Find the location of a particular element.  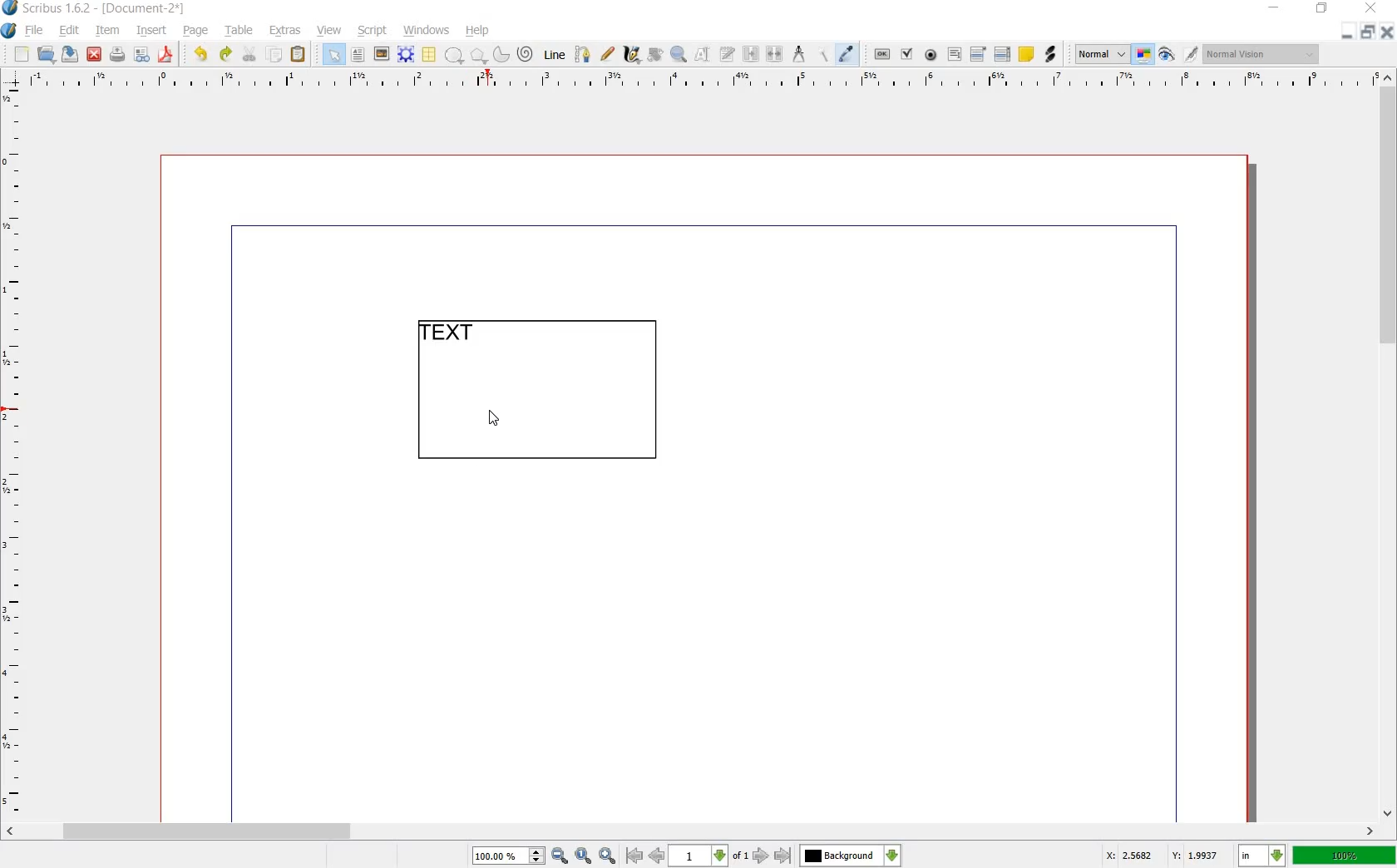

calligraphic line is located at coordinates (631, 53).